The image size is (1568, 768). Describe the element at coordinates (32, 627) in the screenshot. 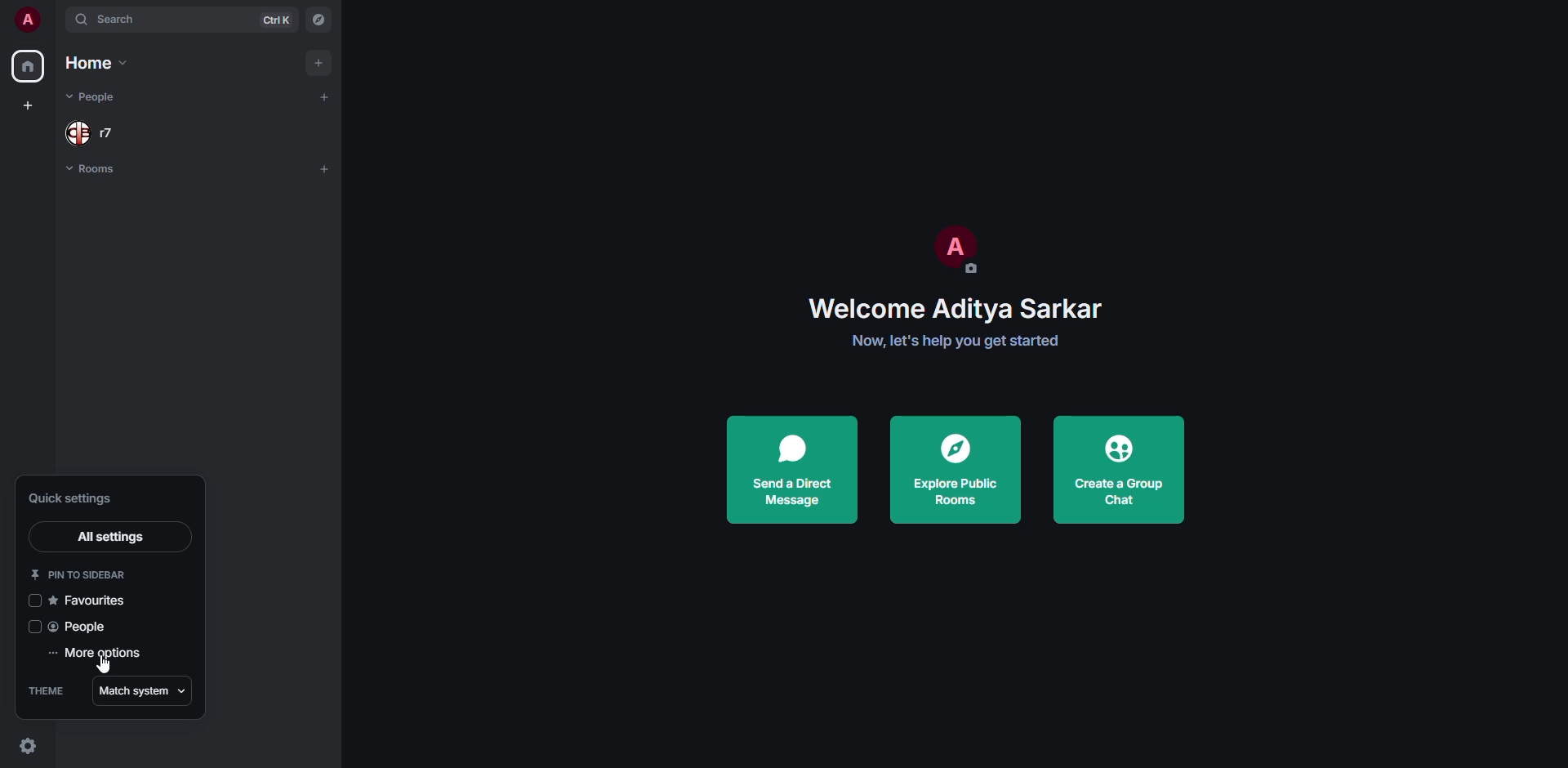

I see `click to enable` at that location.